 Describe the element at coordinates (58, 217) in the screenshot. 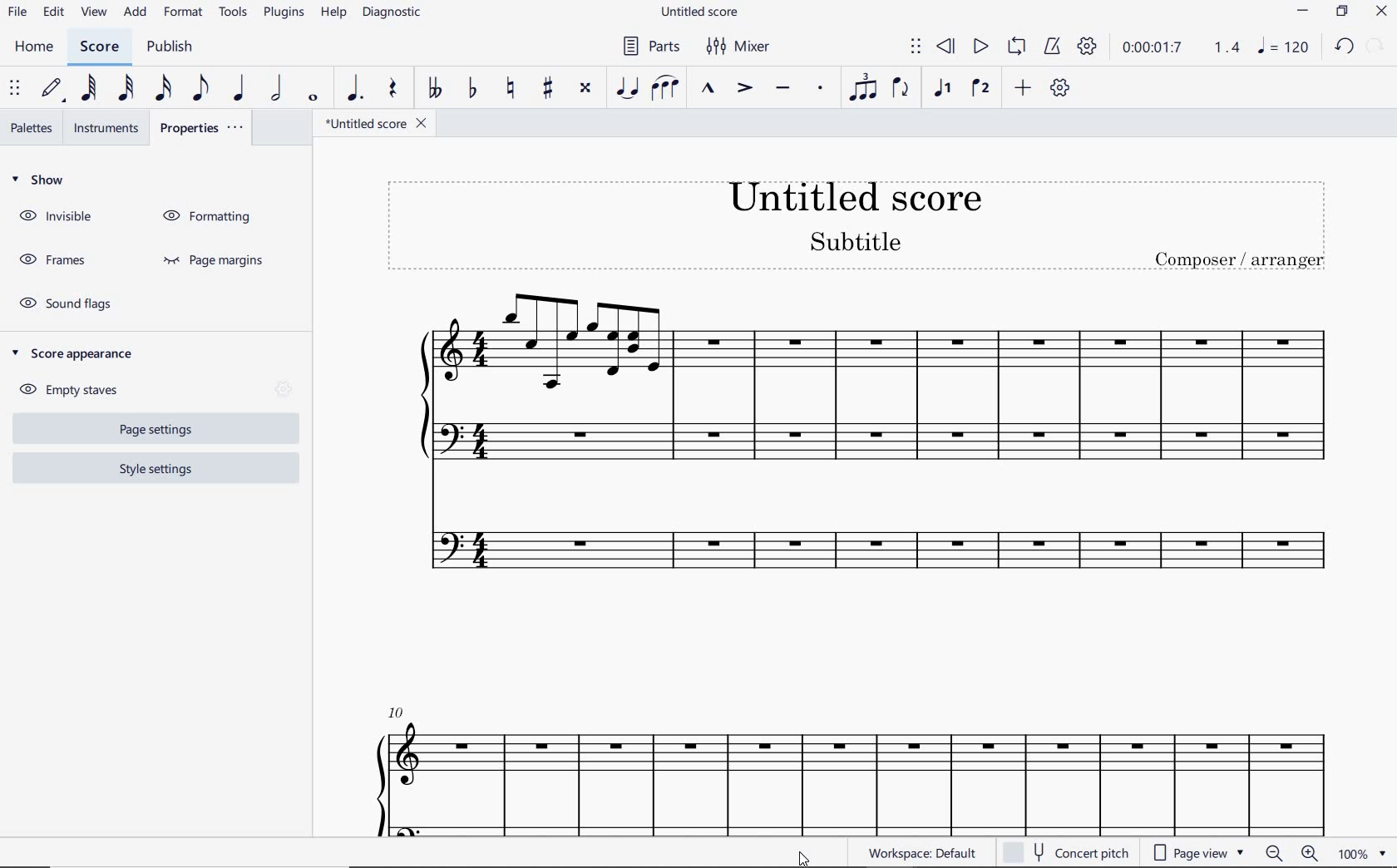

I see `INVISIBLE` at that location.